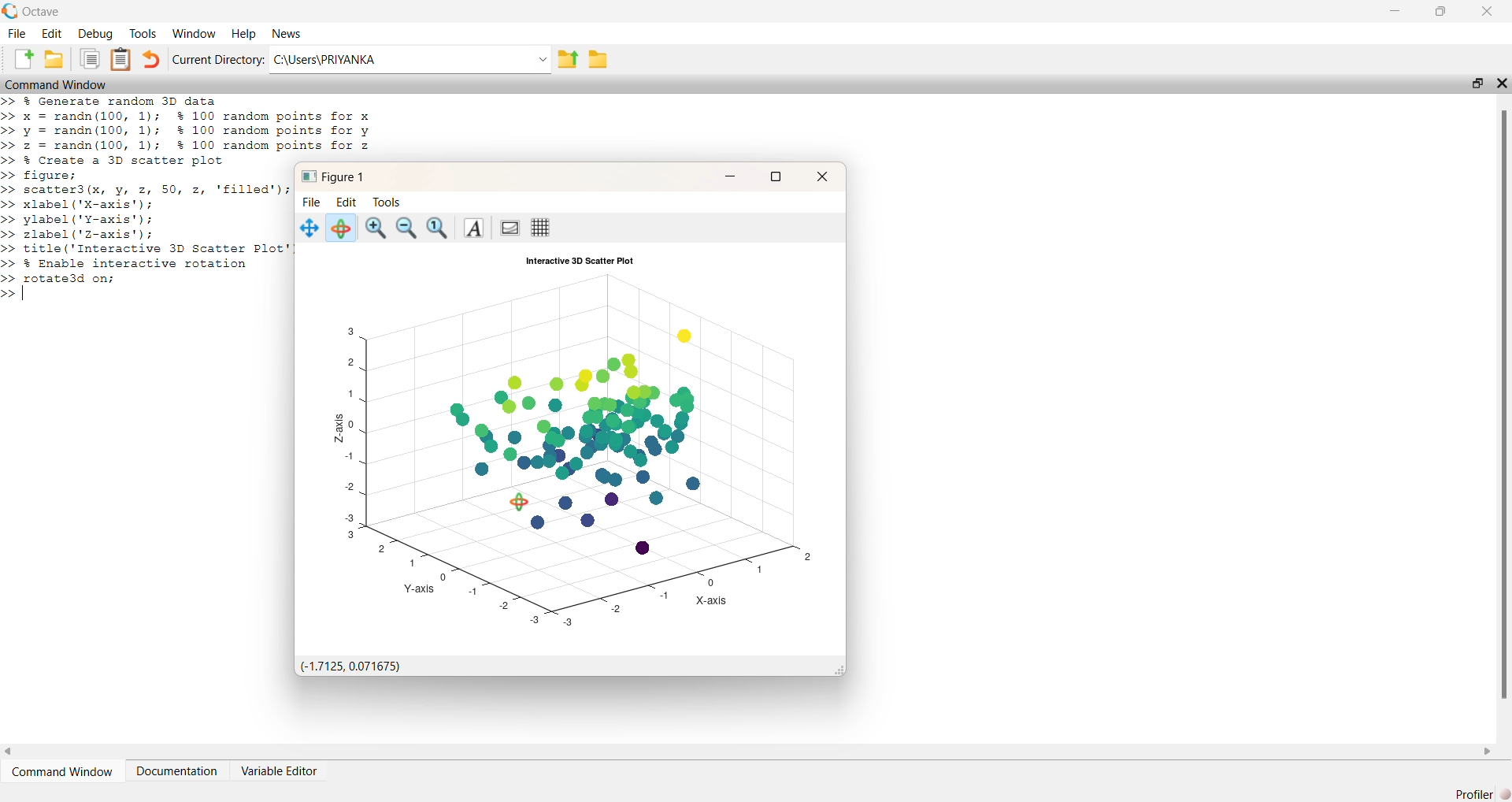 The image size is (1512, 802). I want to click on clipboard, so click(90, 58).